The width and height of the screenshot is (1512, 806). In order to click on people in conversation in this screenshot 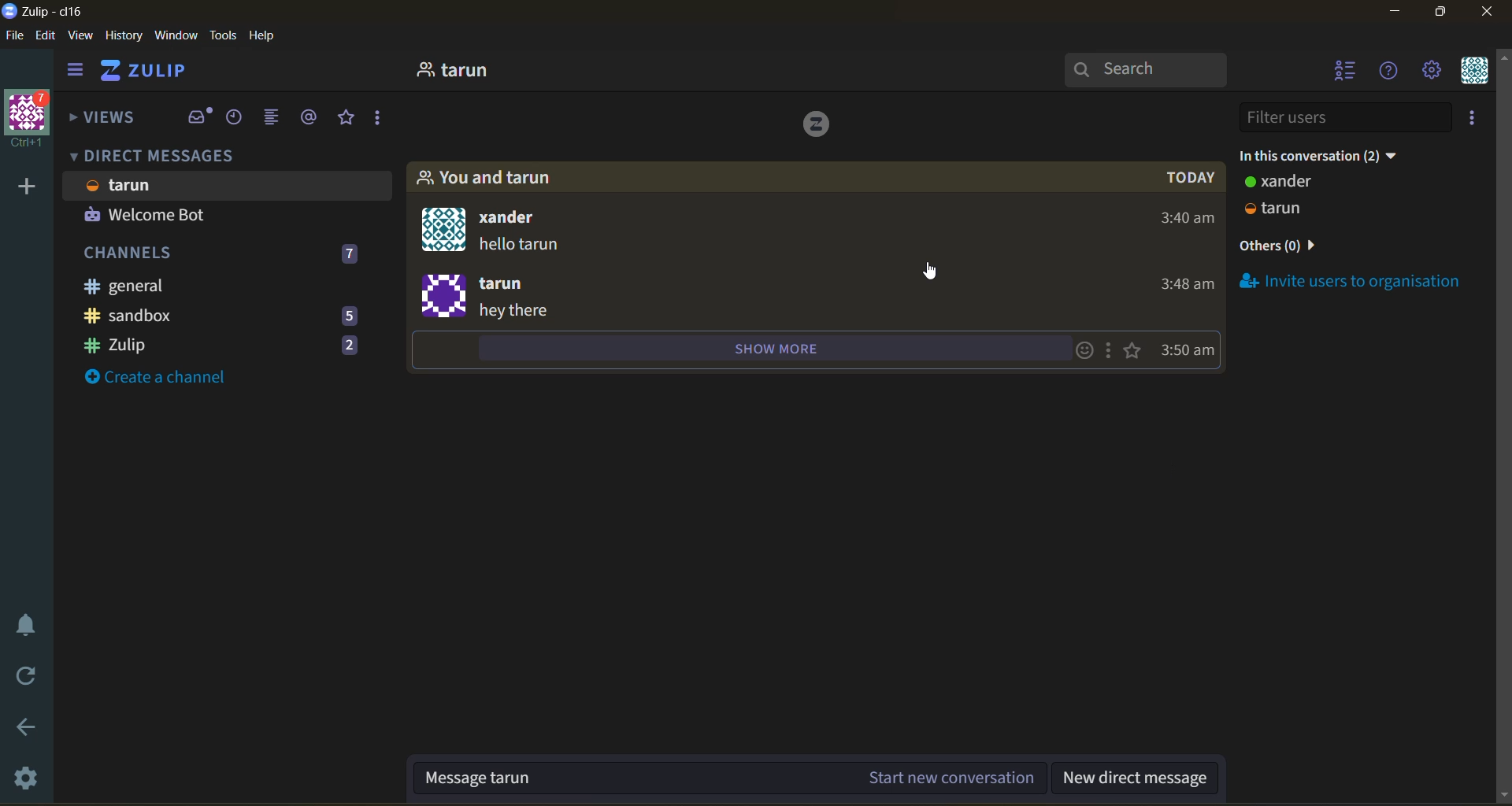, I will do `click(487, 178)`.